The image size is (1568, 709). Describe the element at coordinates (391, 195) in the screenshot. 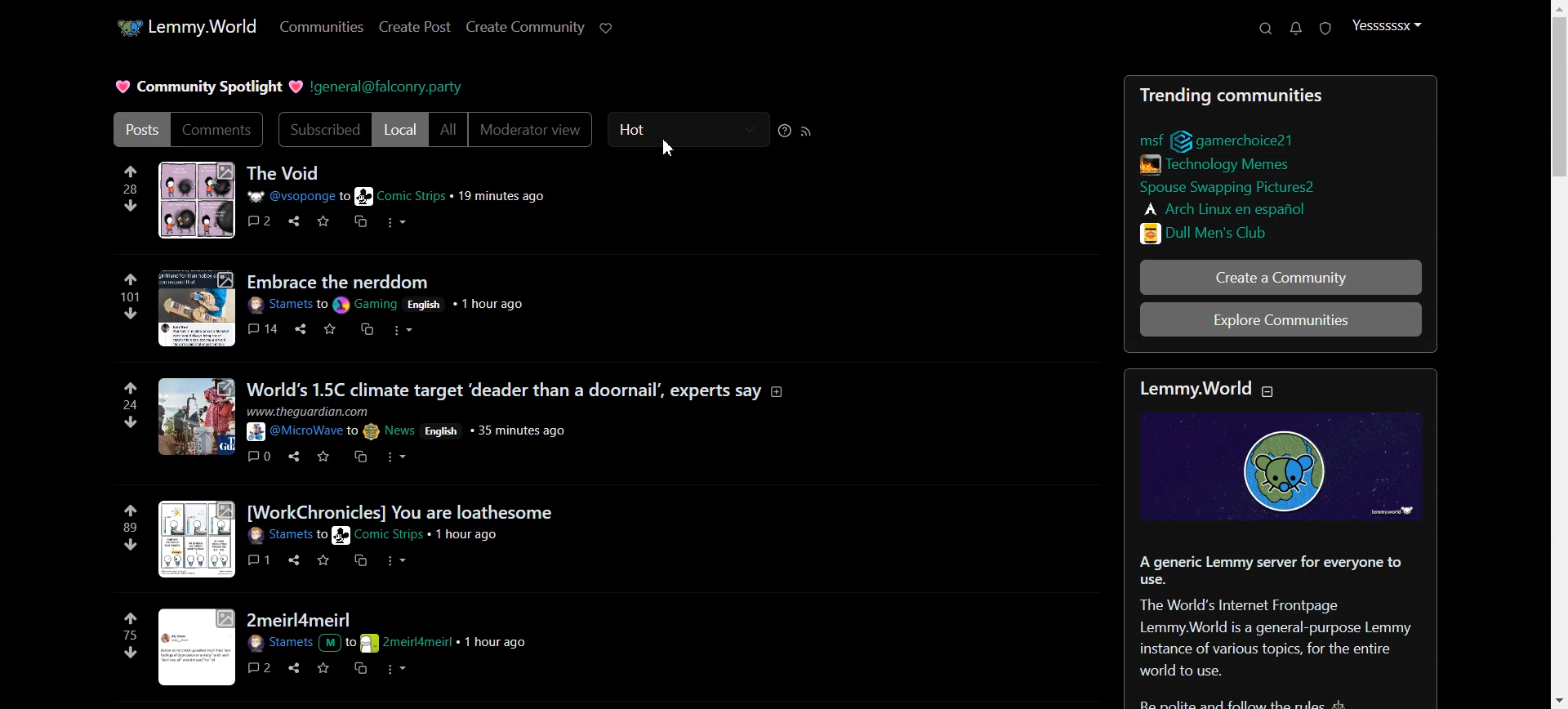

I see `post details` at that location.